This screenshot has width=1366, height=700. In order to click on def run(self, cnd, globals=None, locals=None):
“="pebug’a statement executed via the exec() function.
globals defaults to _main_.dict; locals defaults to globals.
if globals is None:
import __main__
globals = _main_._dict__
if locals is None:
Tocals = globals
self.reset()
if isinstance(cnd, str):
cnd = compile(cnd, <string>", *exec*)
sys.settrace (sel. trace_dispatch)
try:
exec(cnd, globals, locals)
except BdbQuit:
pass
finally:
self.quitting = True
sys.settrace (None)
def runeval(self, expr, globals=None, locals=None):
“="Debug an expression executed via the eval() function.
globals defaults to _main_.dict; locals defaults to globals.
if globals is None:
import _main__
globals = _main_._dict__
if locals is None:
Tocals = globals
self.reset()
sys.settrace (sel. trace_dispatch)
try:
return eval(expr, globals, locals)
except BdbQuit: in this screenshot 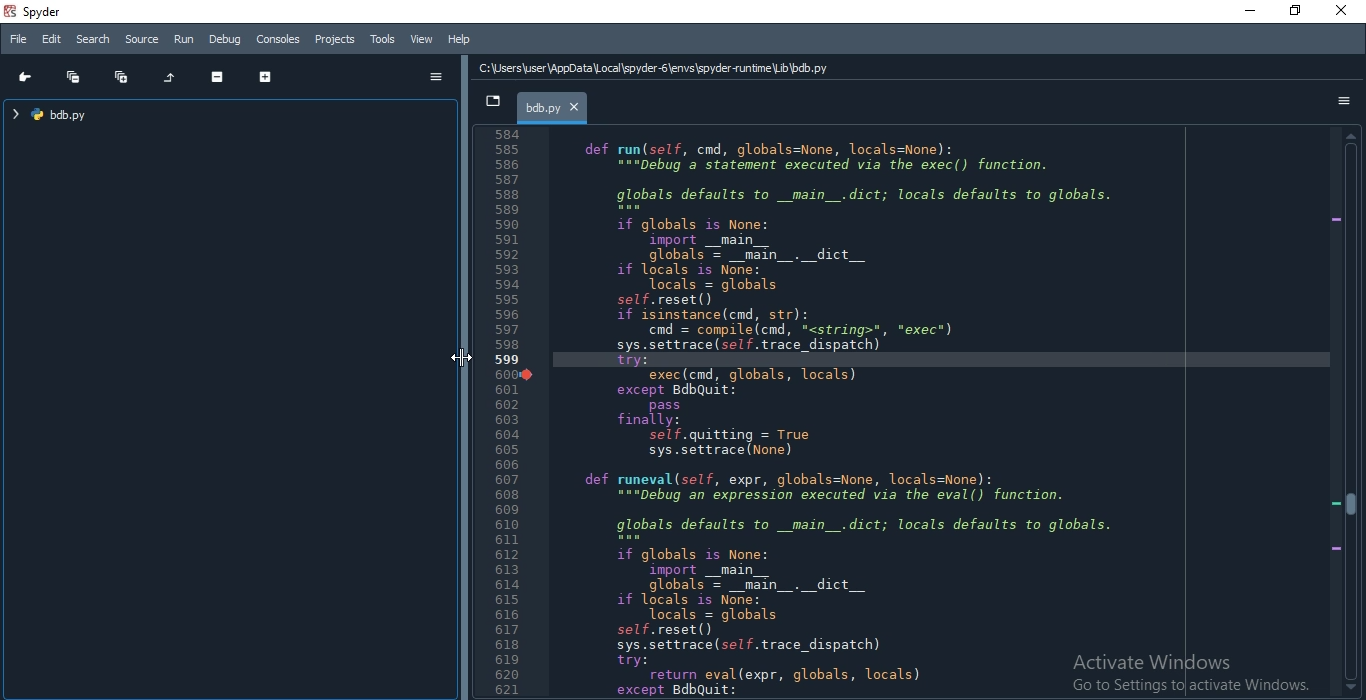, I will do `click(856, 415)`.